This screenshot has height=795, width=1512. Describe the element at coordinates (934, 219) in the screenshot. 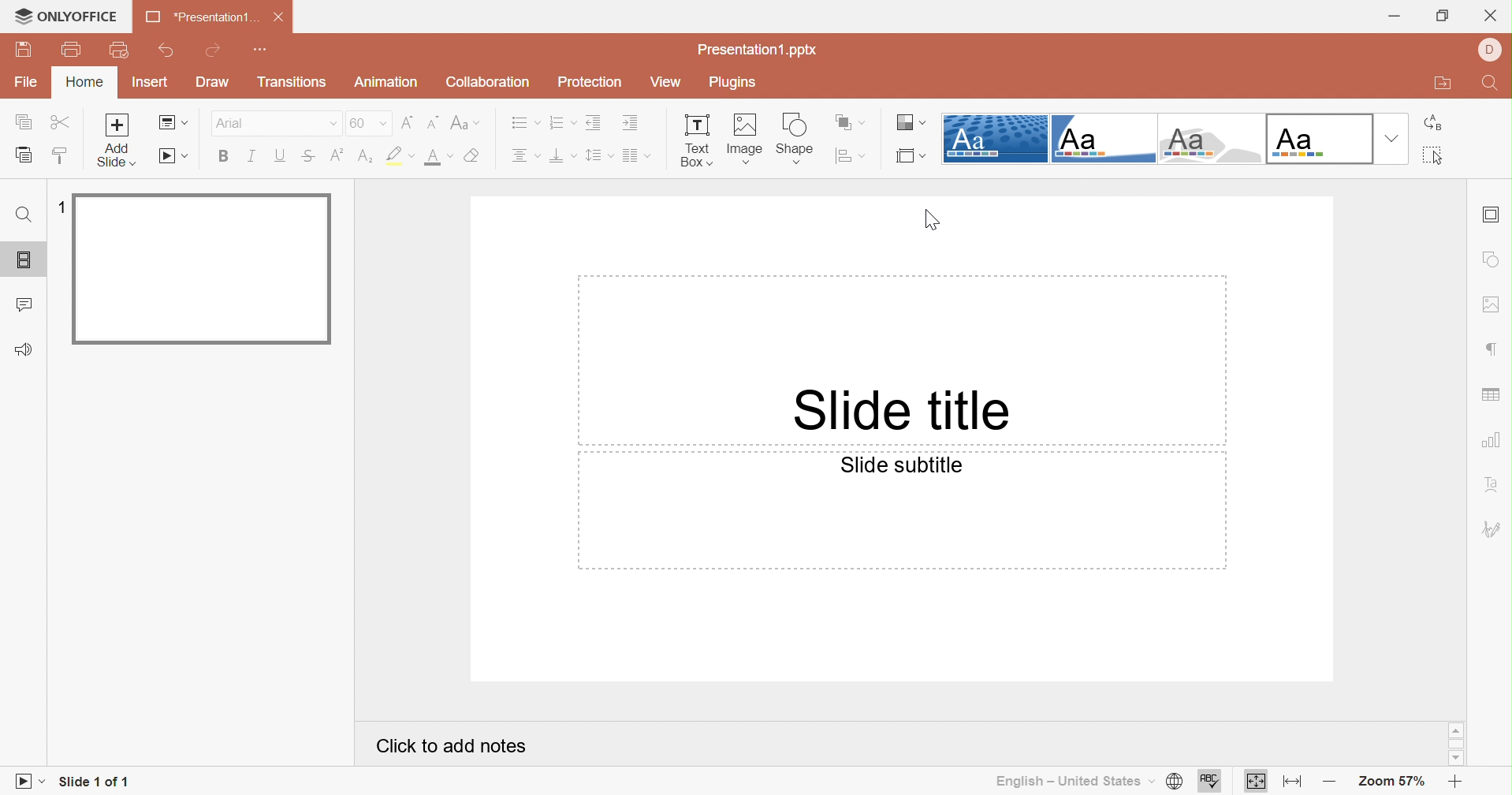

I see `Cursor` at that location.